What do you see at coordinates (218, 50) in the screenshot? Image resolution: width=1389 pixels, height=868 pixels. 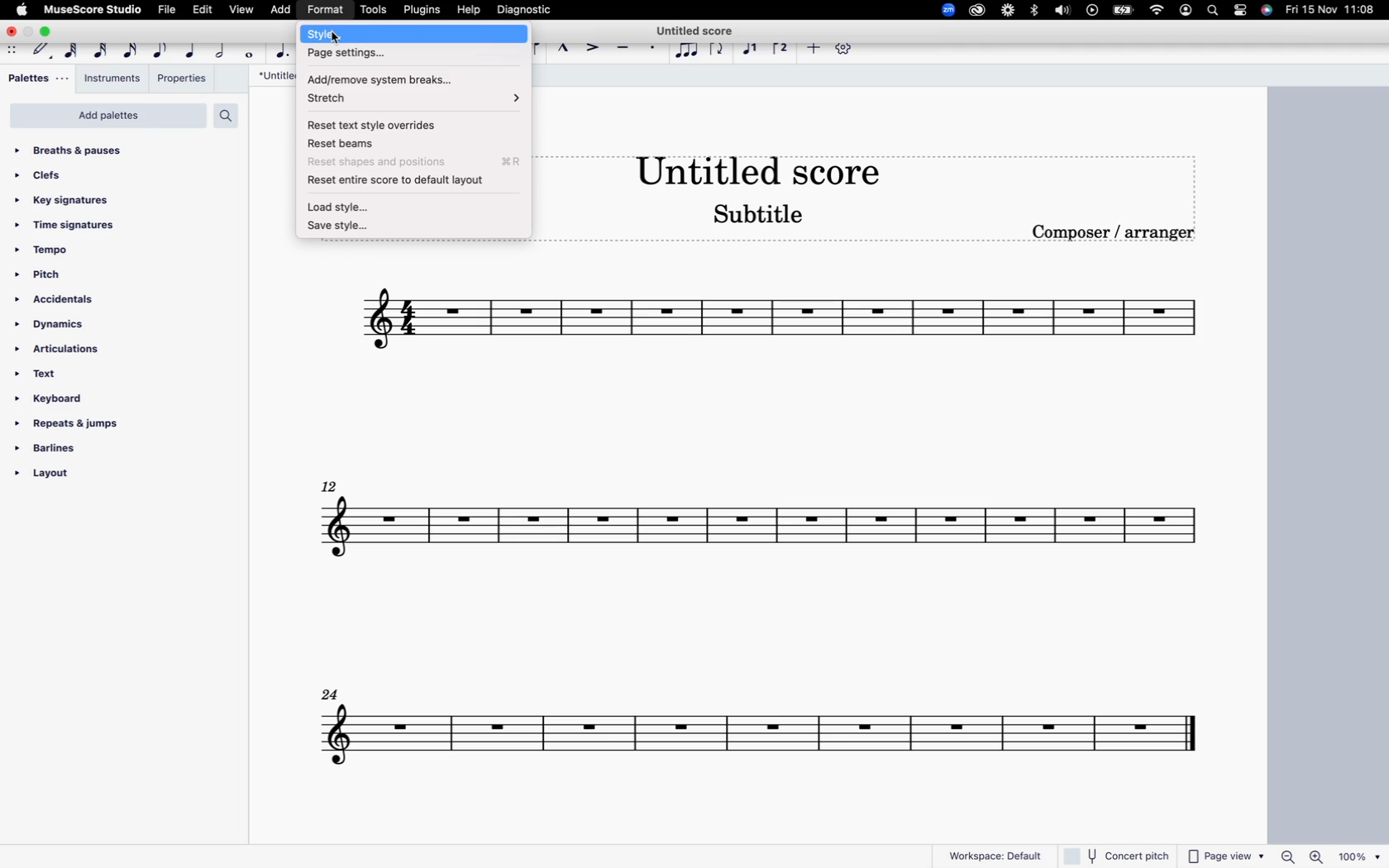 I see `half note` at bounding box center [218, 50].